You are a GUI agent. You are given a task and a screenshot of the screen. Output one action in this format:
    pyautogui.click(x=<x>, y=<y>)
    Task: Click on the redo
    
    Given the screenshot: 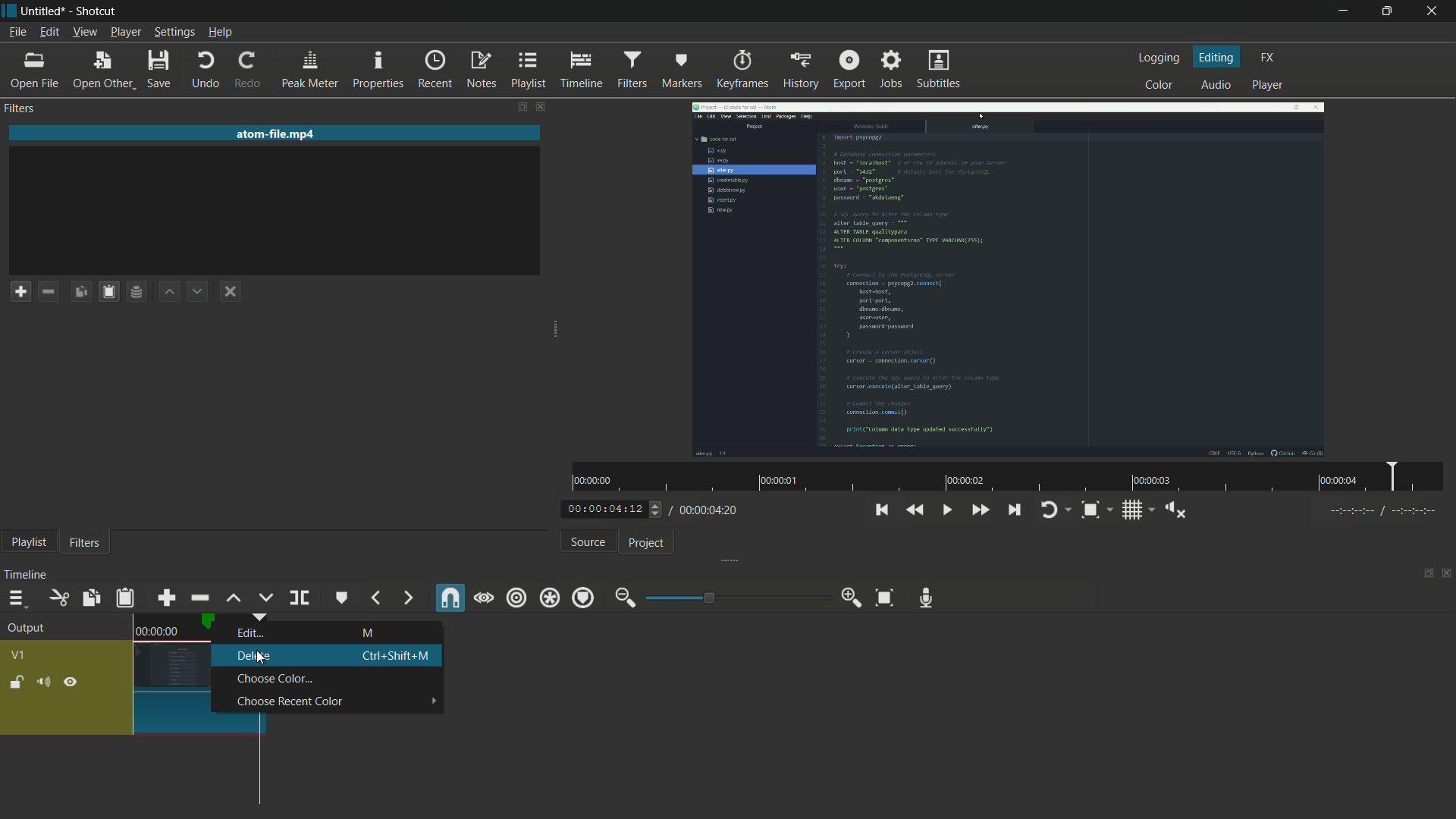 What is the action you would take?
    pyautogui.click(x=248, y=70)
    